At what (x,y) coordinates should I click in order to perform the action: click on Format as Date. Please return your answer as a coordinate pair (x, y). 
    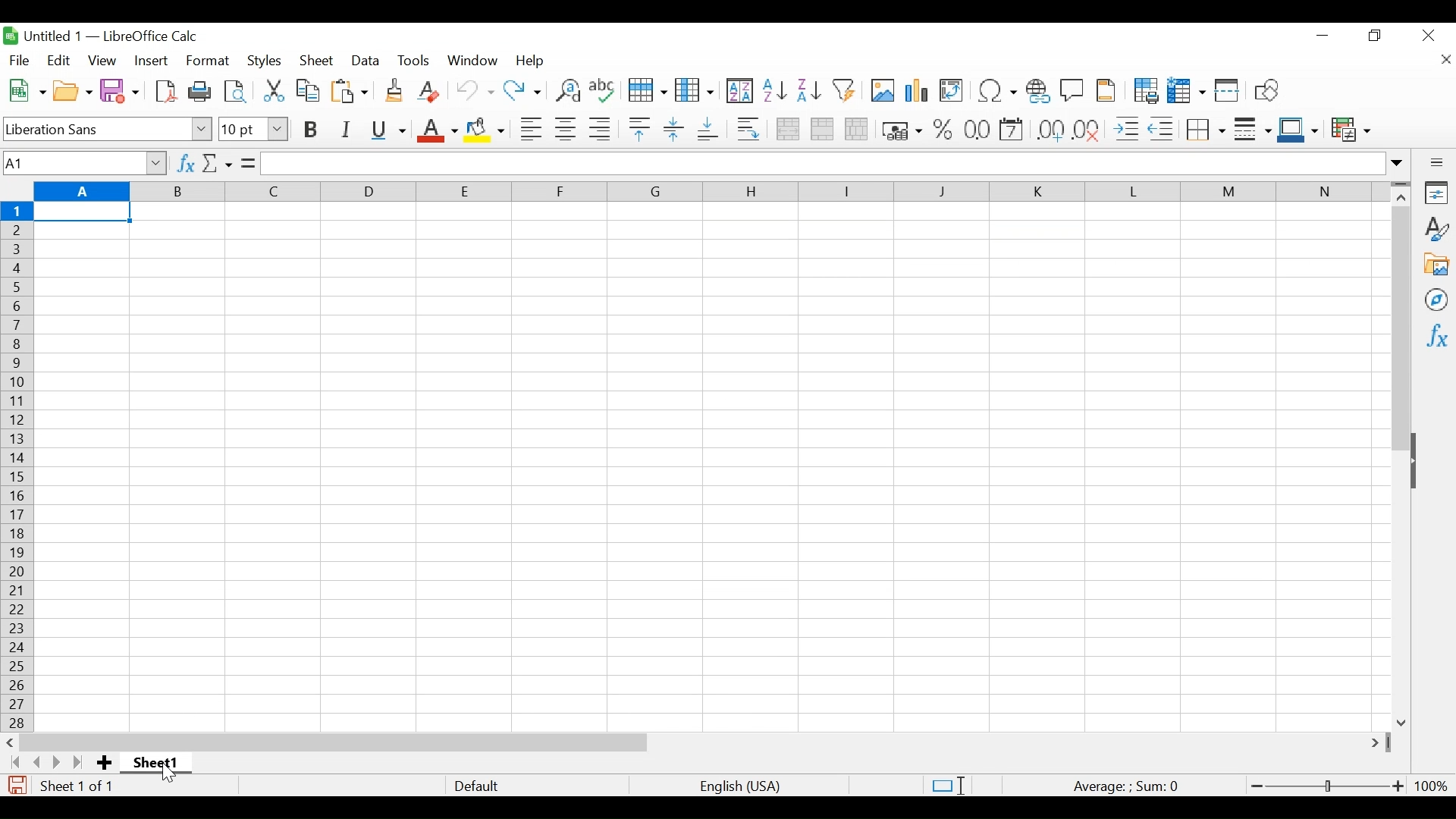
    Looking at the image, I should click on (977, 131).